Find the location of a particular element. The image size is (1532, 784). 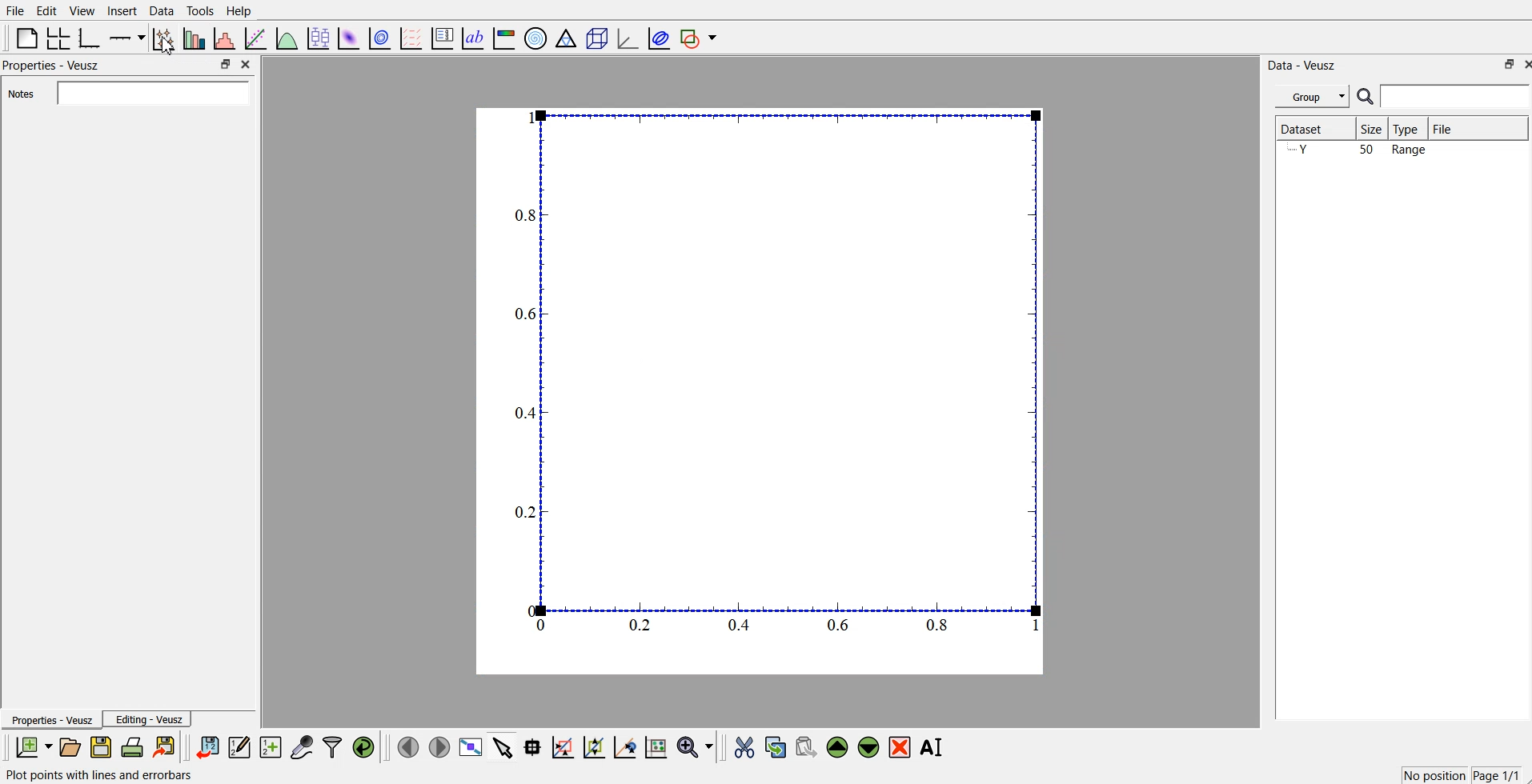

minimise is located at coordinates (225, 62).